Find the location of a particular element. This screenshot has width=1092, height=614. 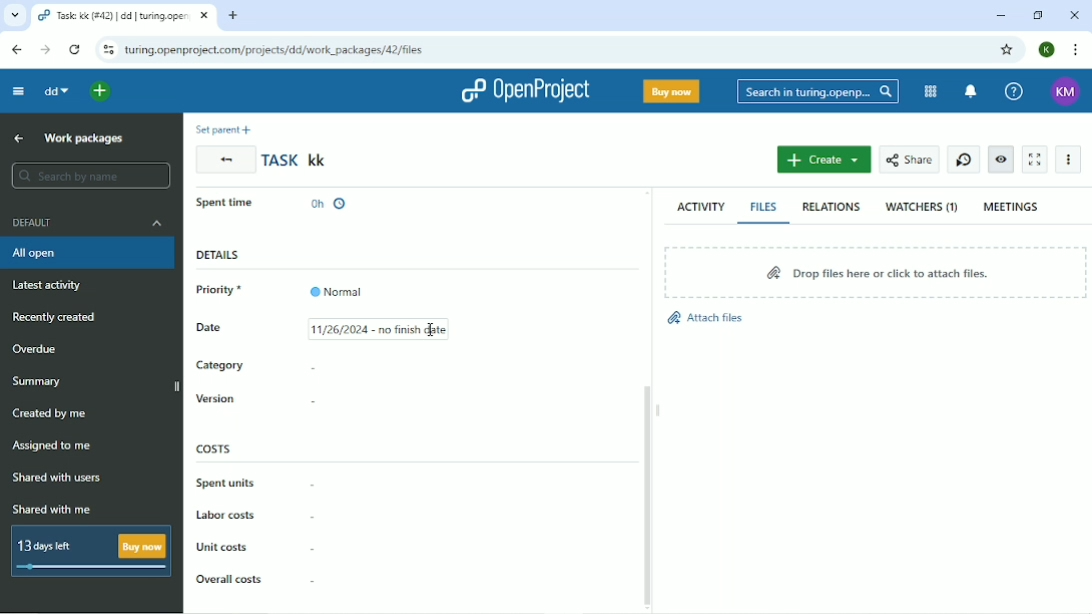

WATCHERS (1) is located at coordinates (921, 208).